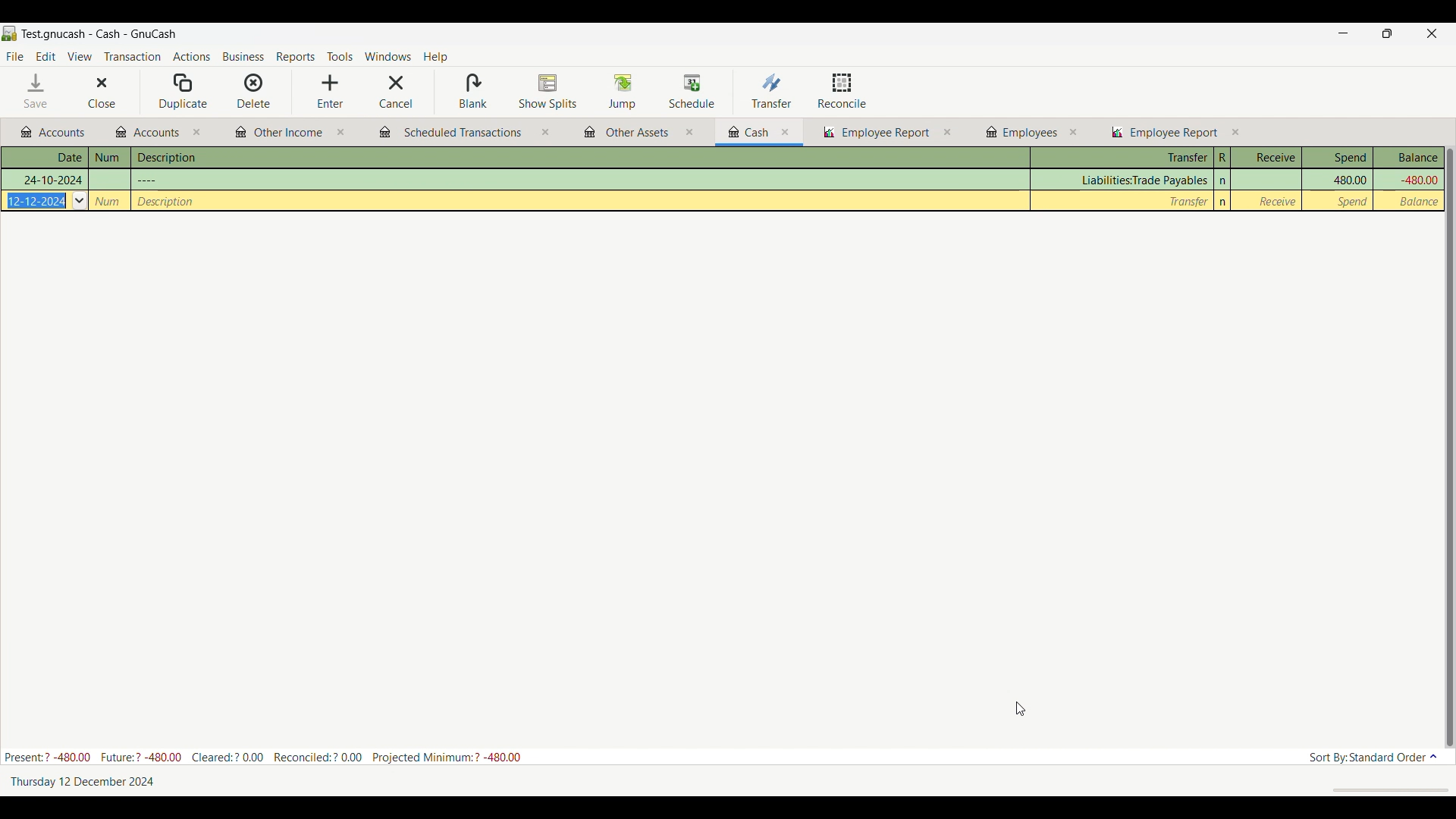 This screenshot has height=819, width=1456. I want to click on n, so click(1224, 180).